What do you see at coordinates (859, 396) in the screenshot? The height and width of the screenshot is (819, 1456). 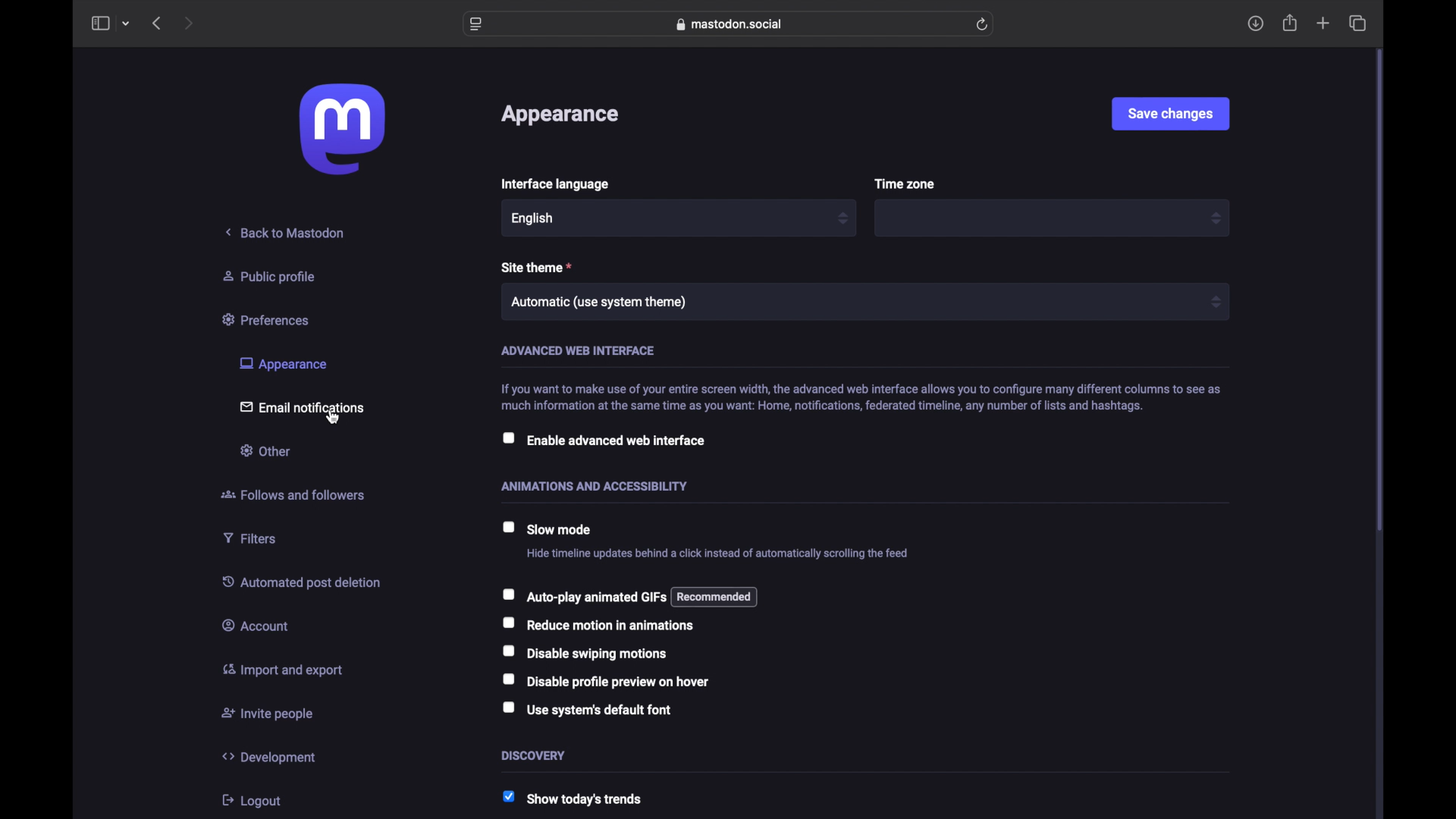 I see `info` at bounding box center [859, 396].